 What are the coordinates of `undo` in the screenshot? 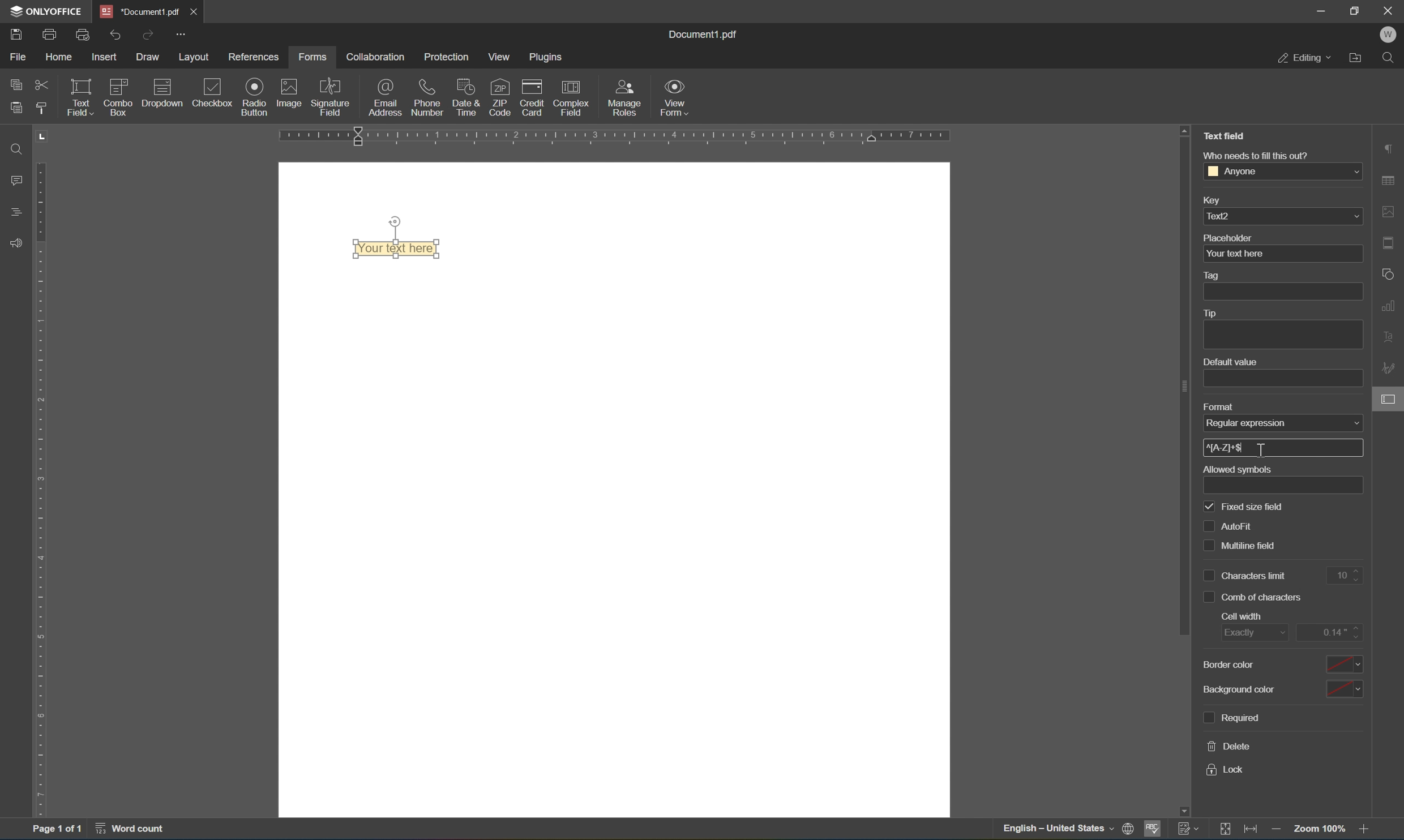 It's located at (116, 35).